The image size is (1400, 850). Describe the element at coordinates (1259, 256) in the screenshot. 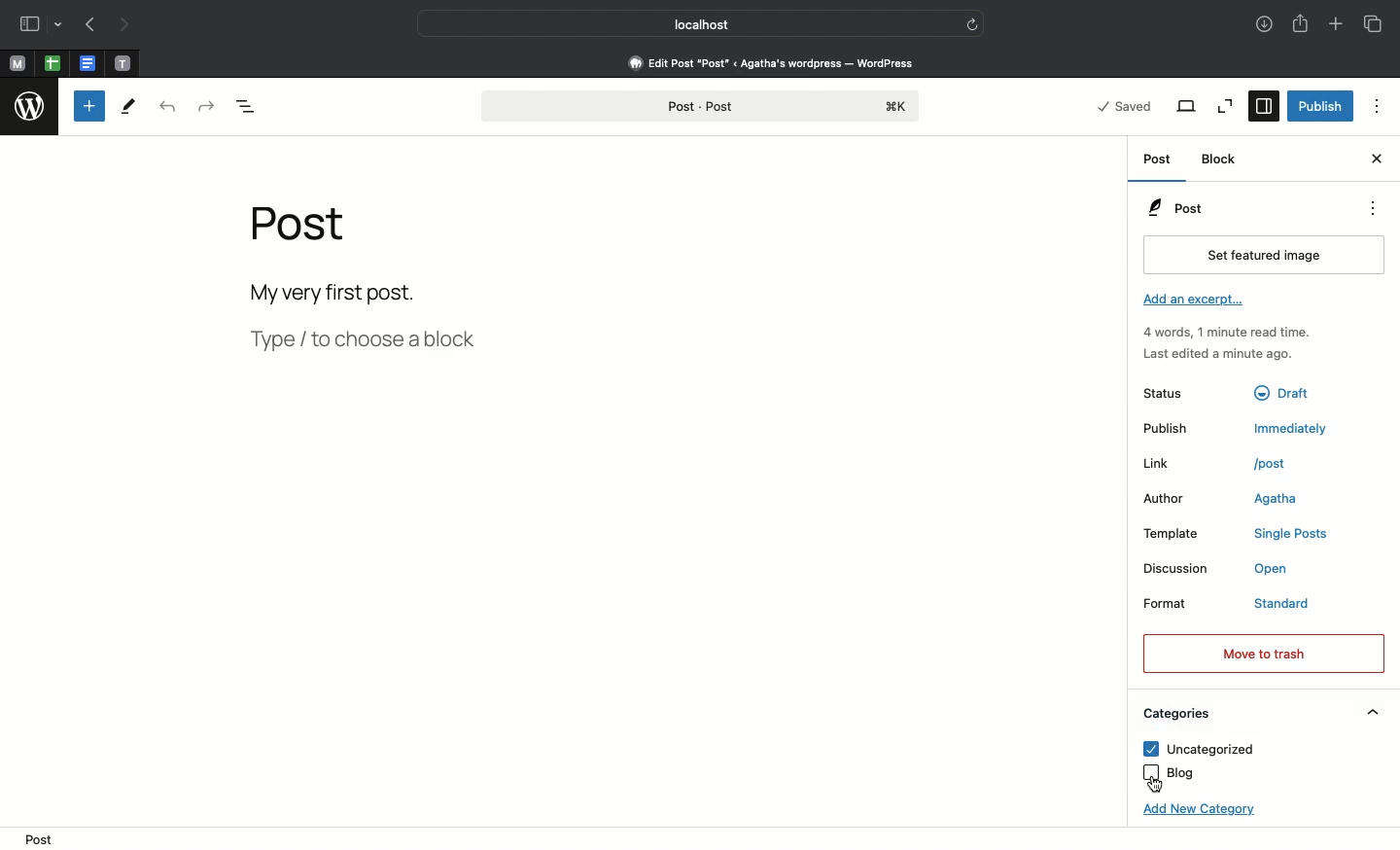

I see `Set featured image` at that location.